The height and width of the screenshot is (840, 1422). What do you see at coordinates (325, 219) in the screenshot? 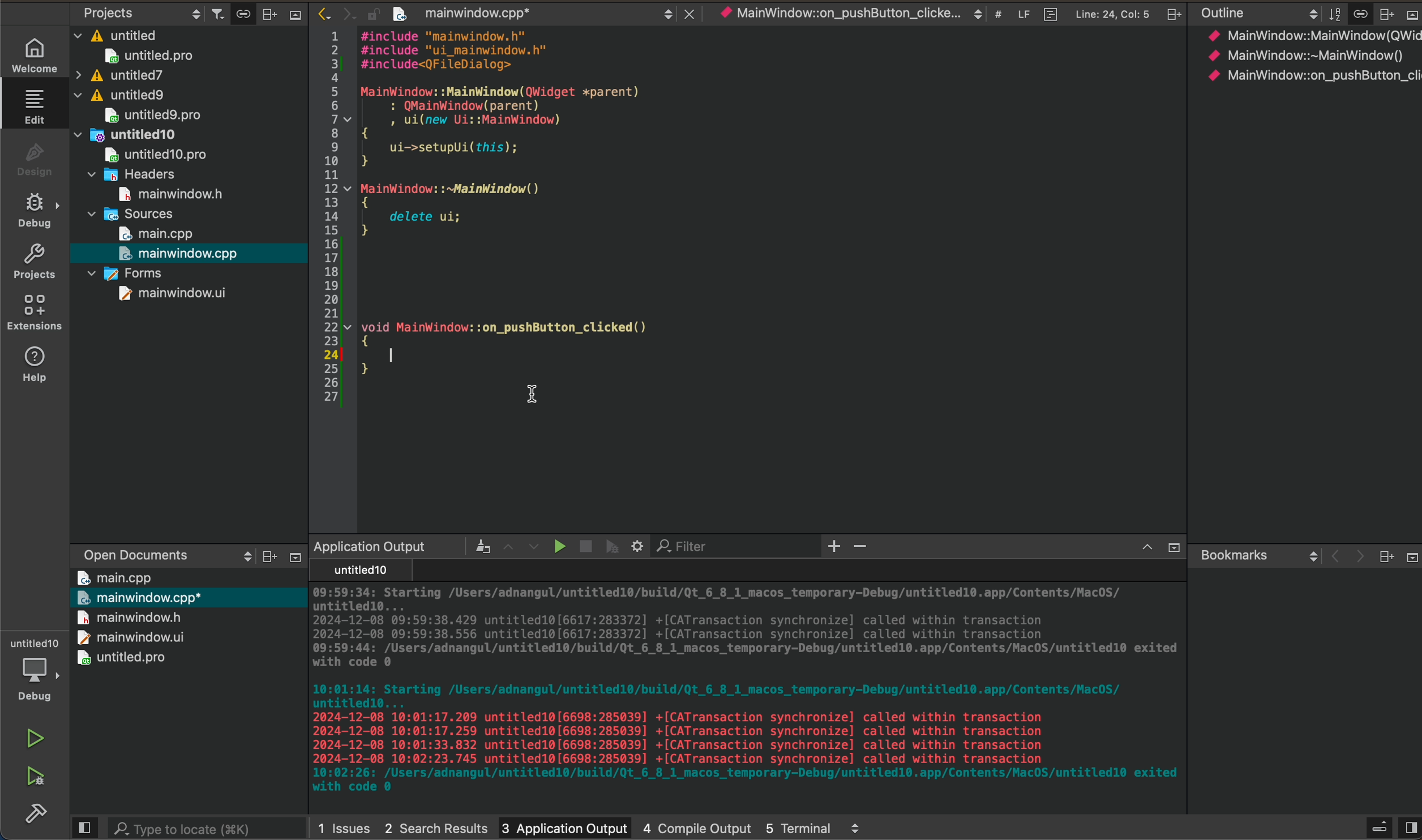
I see `row number` at bounding box center [325, 219].